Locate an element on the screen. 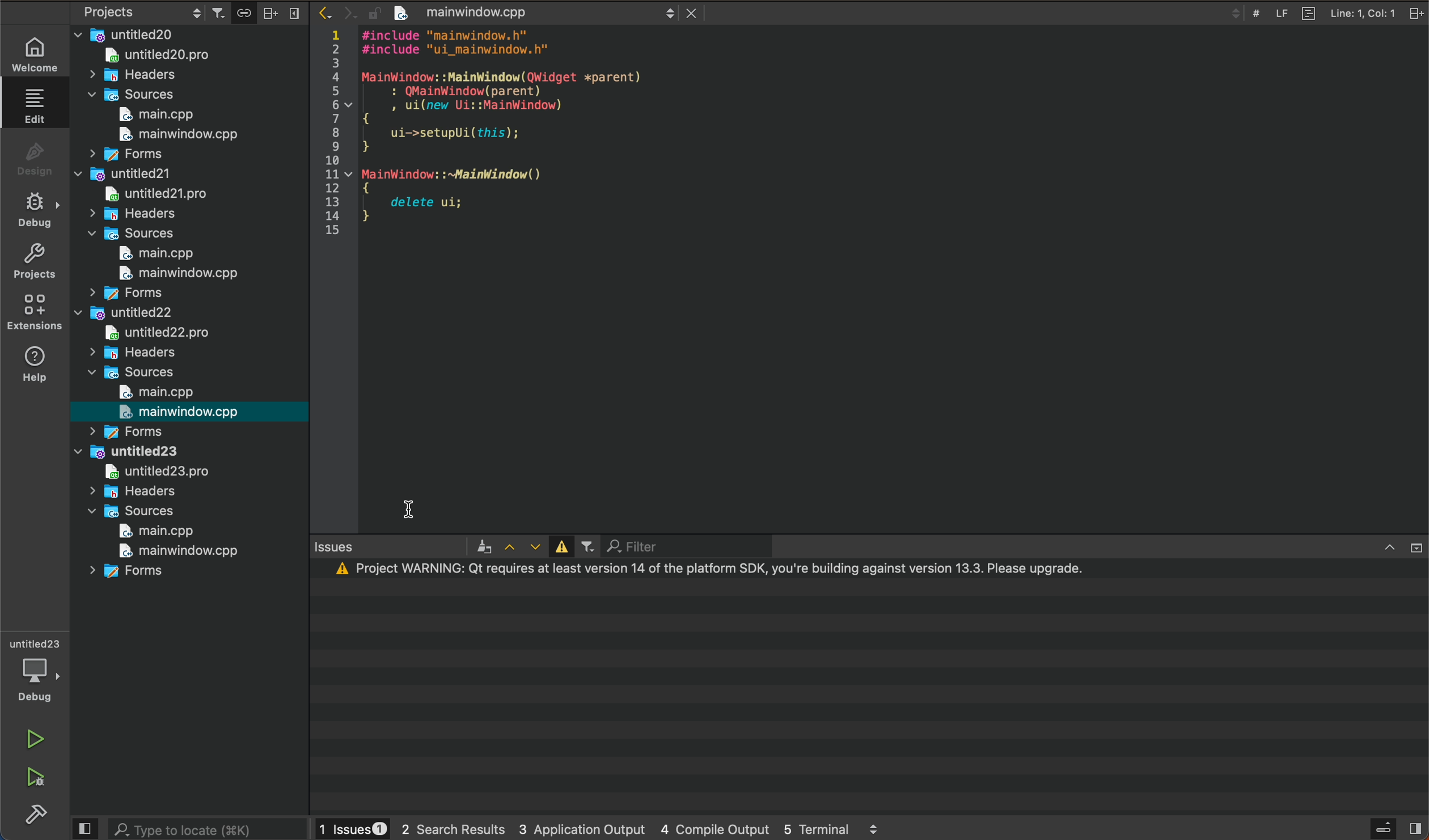 The width and height of the screenshot is (1429, 840). headers is located at coordinates (132, 215).